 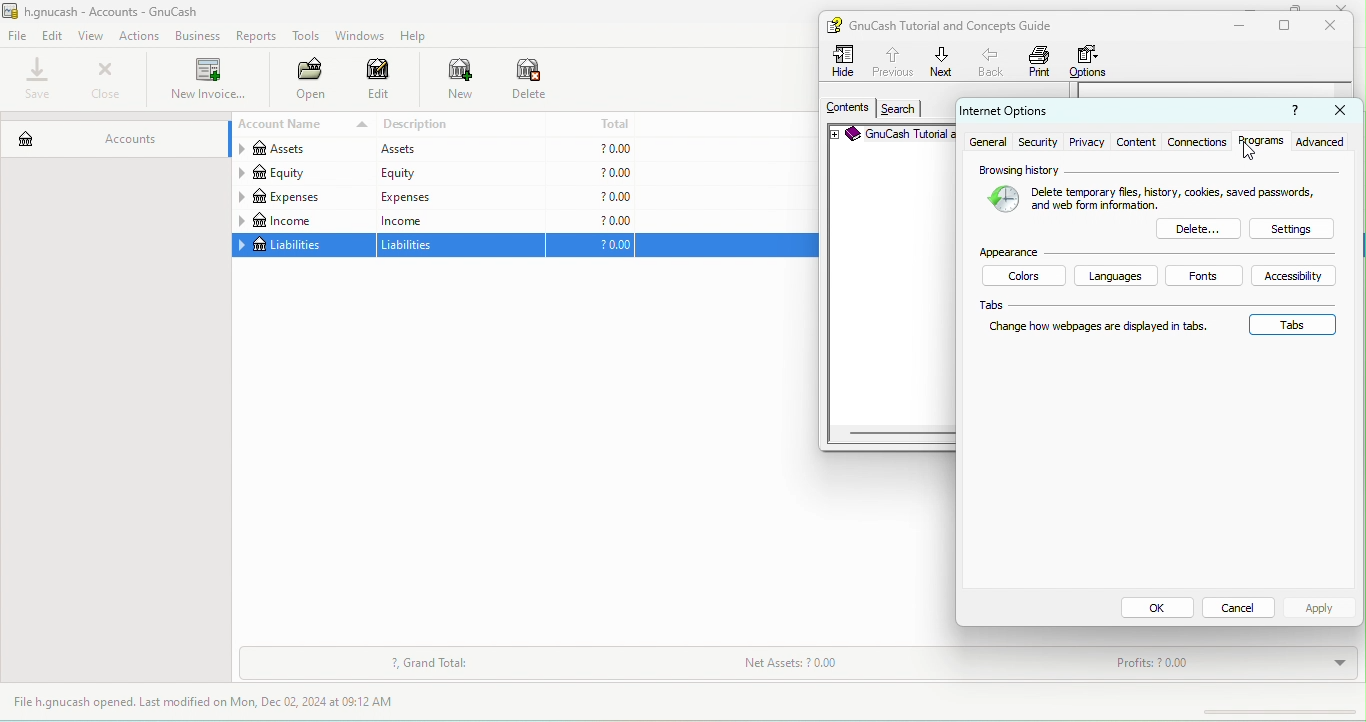 What do you see at coordinates (1088, 141) in the screenshot?
I see `privacy` at bounding box center [1088, 141].